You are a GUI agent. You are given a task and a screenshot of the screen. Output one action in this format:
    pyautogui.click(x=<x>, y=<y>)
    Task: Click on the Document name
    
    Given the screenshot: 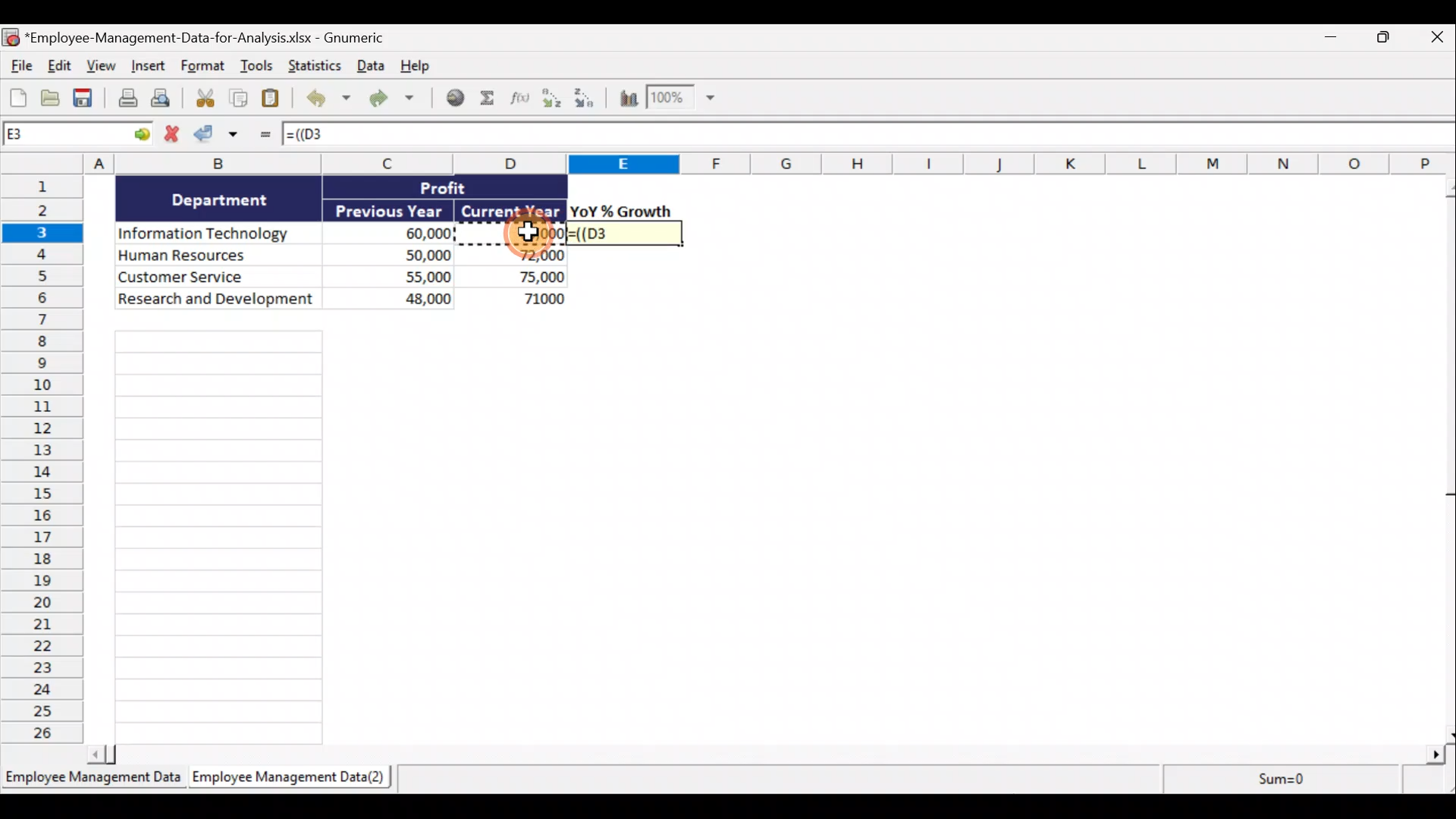 What is the action you would take?
    pyautogui.click(x=208, y=36)
    